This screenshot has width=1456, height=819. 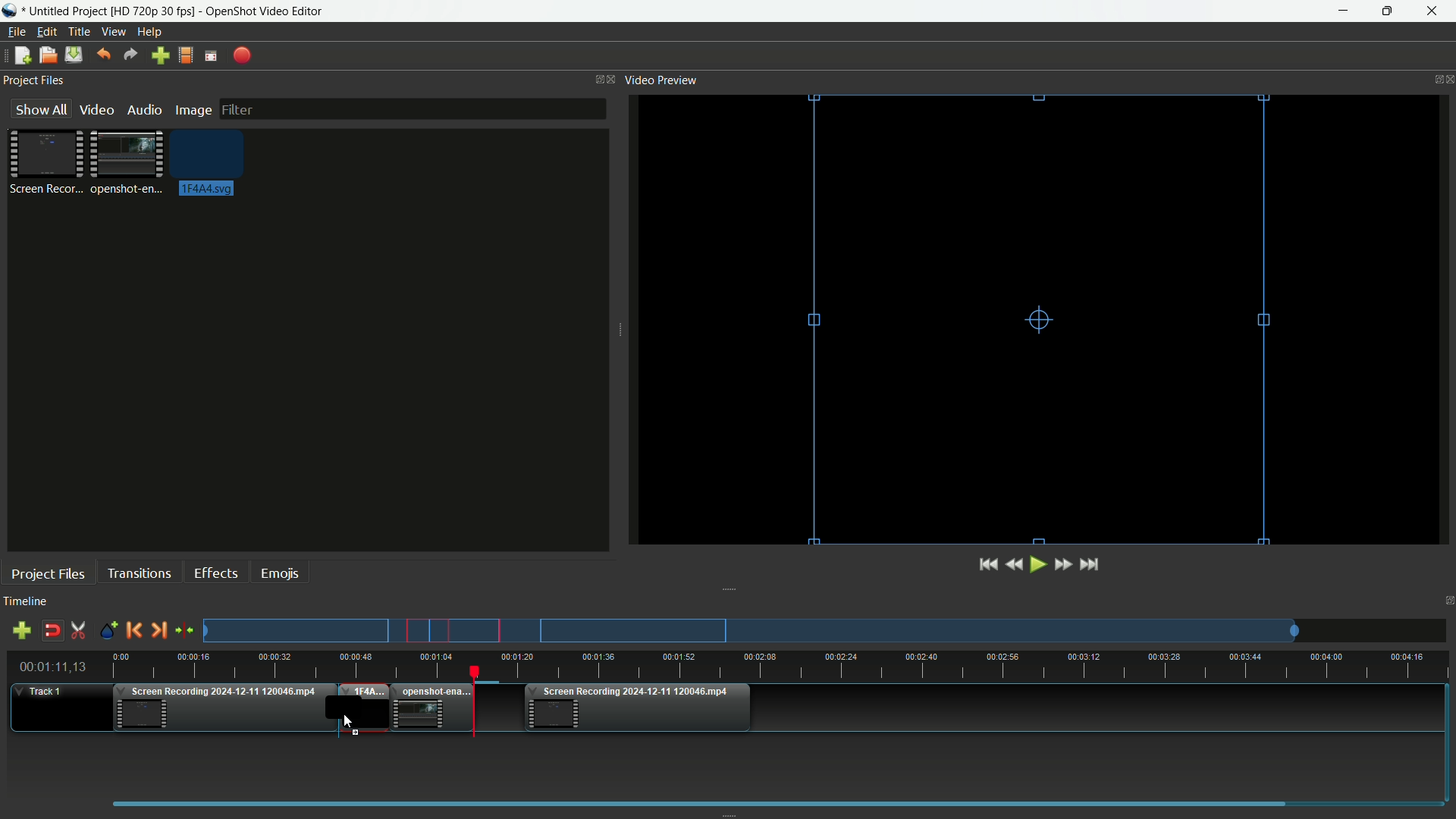 I want to click on Jump to end, so click(x=1090, y=564).